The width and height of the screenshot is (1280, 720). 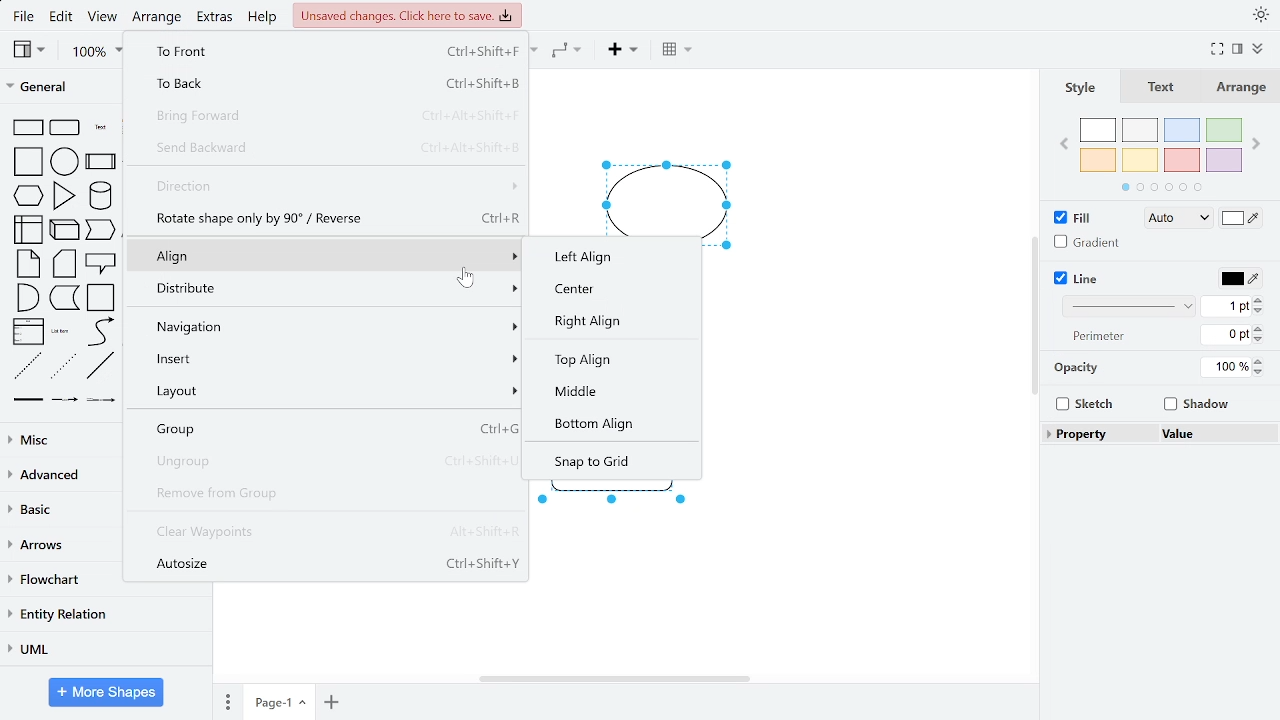 What do you see at coordinates (1175, 219) in the screenshot?
I see `fill style` at bounding box center [1175, 219].